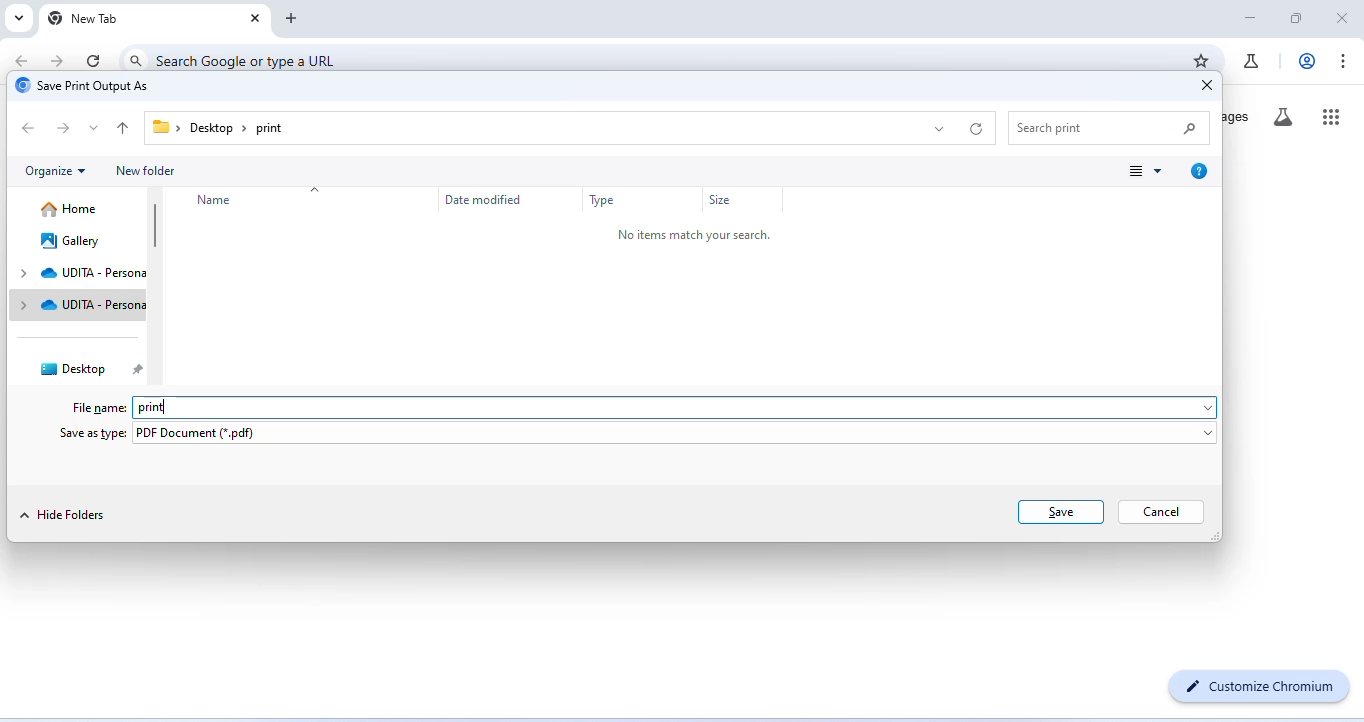 Image resolution: width=1364 pixels, height=722 pixels. Describe the element at coordinates (101, 408) in the screenshot. I see `file name` at that location.